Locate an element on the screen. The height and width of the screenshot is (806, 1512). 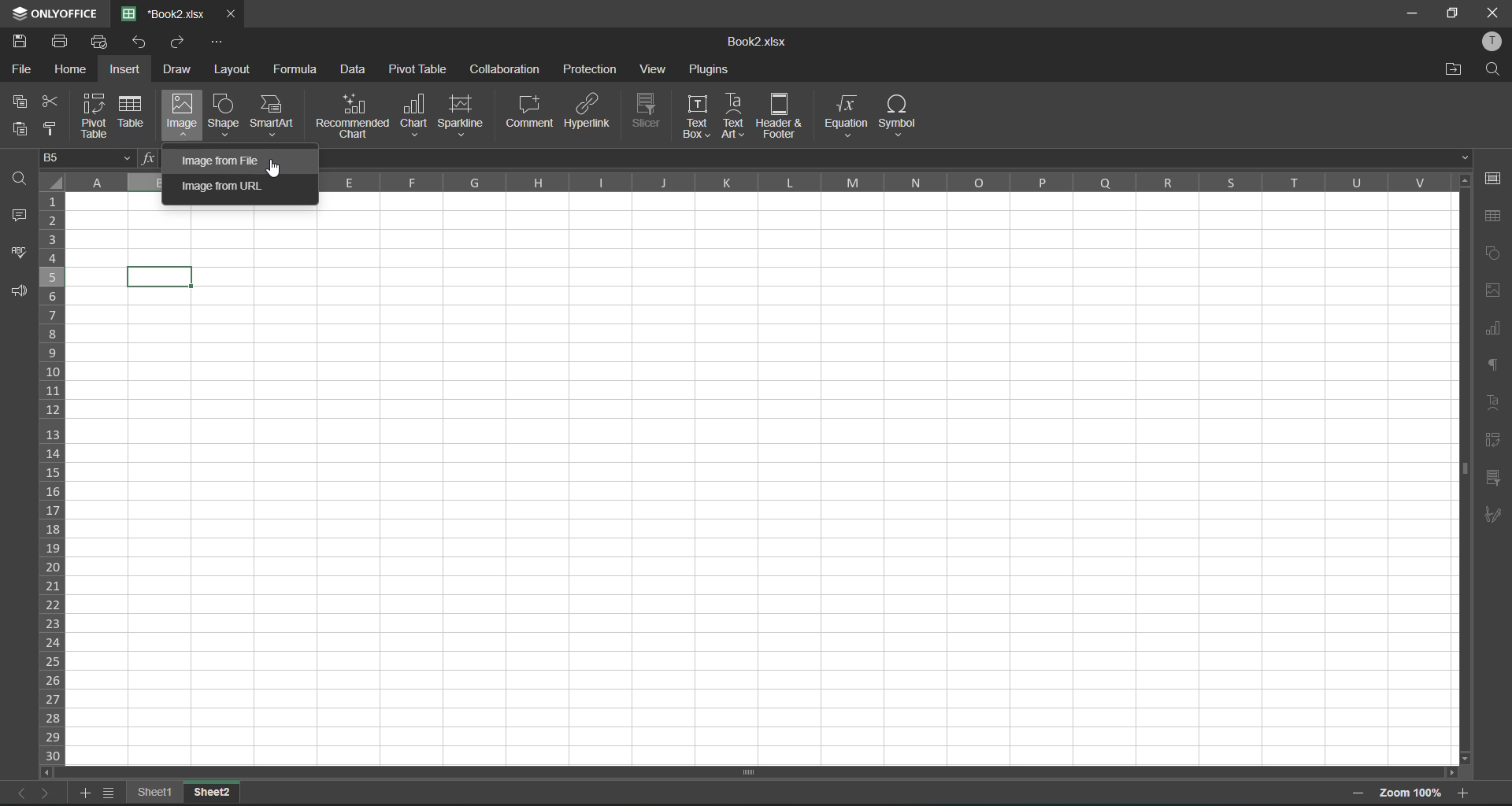
*Book2.xlsx is located at coordinates (165, 13).